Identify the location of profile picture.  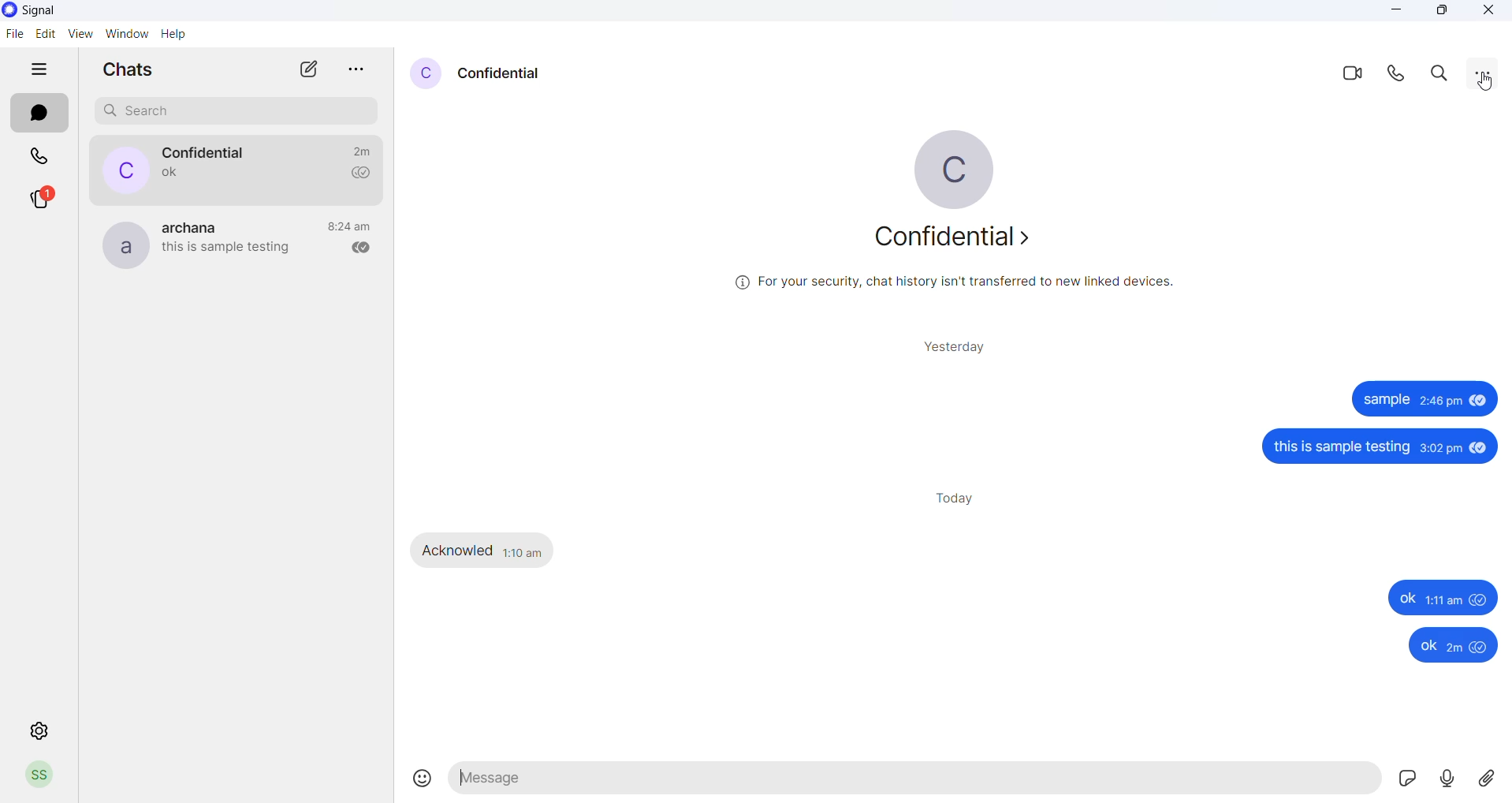
(427, 73).